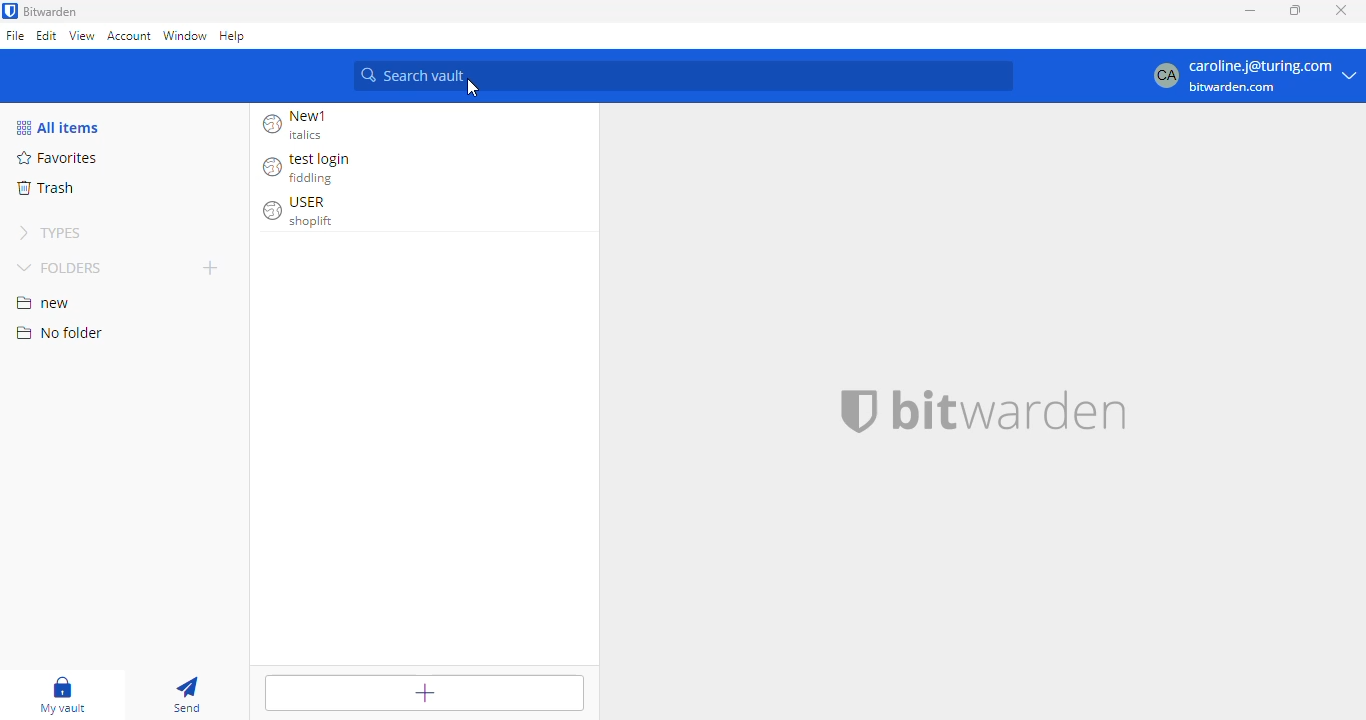 The width and height of the screenshot is (1366, 720). Describe the element at coordinates (45, 188) in the screenshot. I see `trash` at that location.